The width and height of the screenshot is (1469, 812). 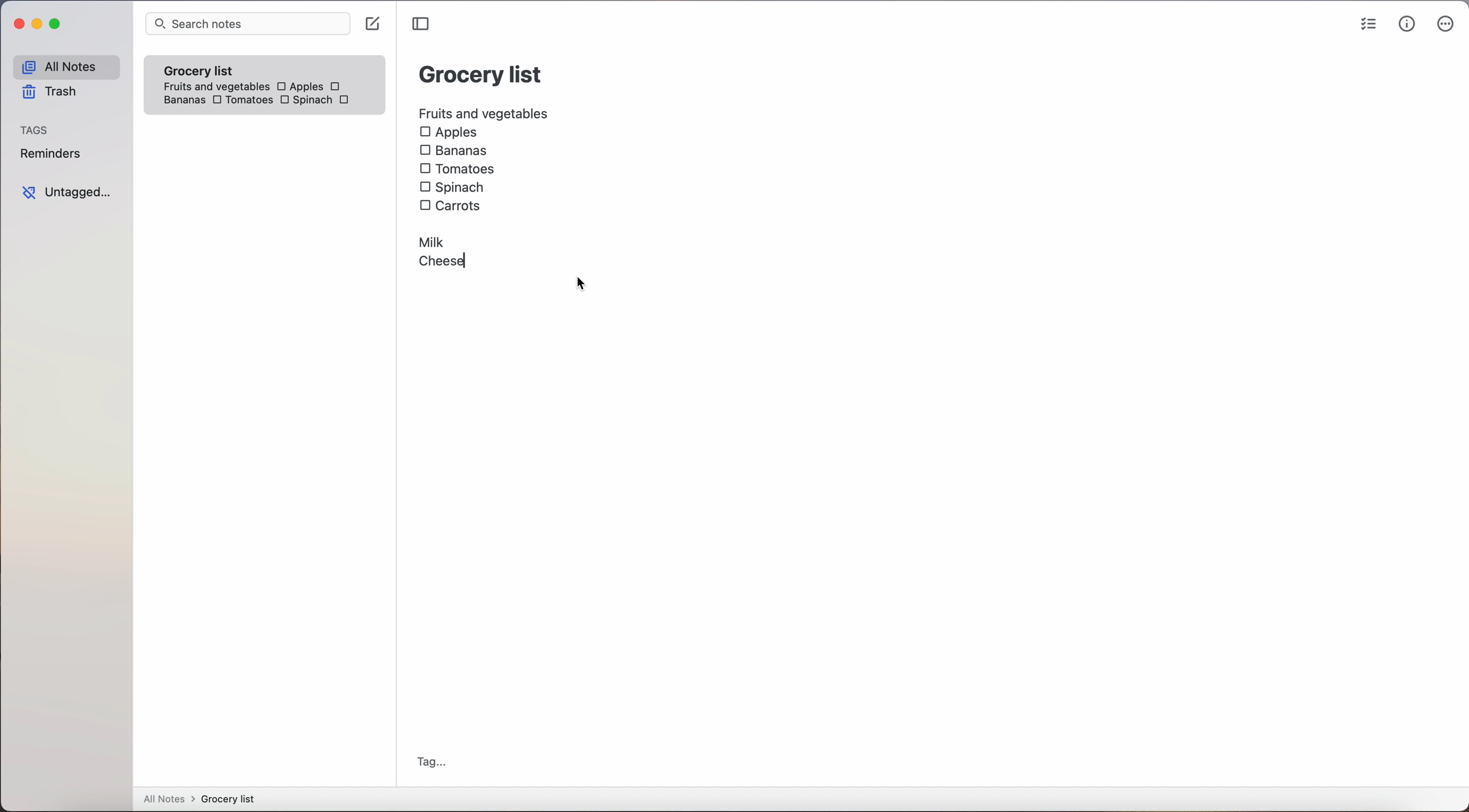 What do you see at coordinates (58, 25) in the screenshot?
I see `maximize` at bounding box center [58, 25].